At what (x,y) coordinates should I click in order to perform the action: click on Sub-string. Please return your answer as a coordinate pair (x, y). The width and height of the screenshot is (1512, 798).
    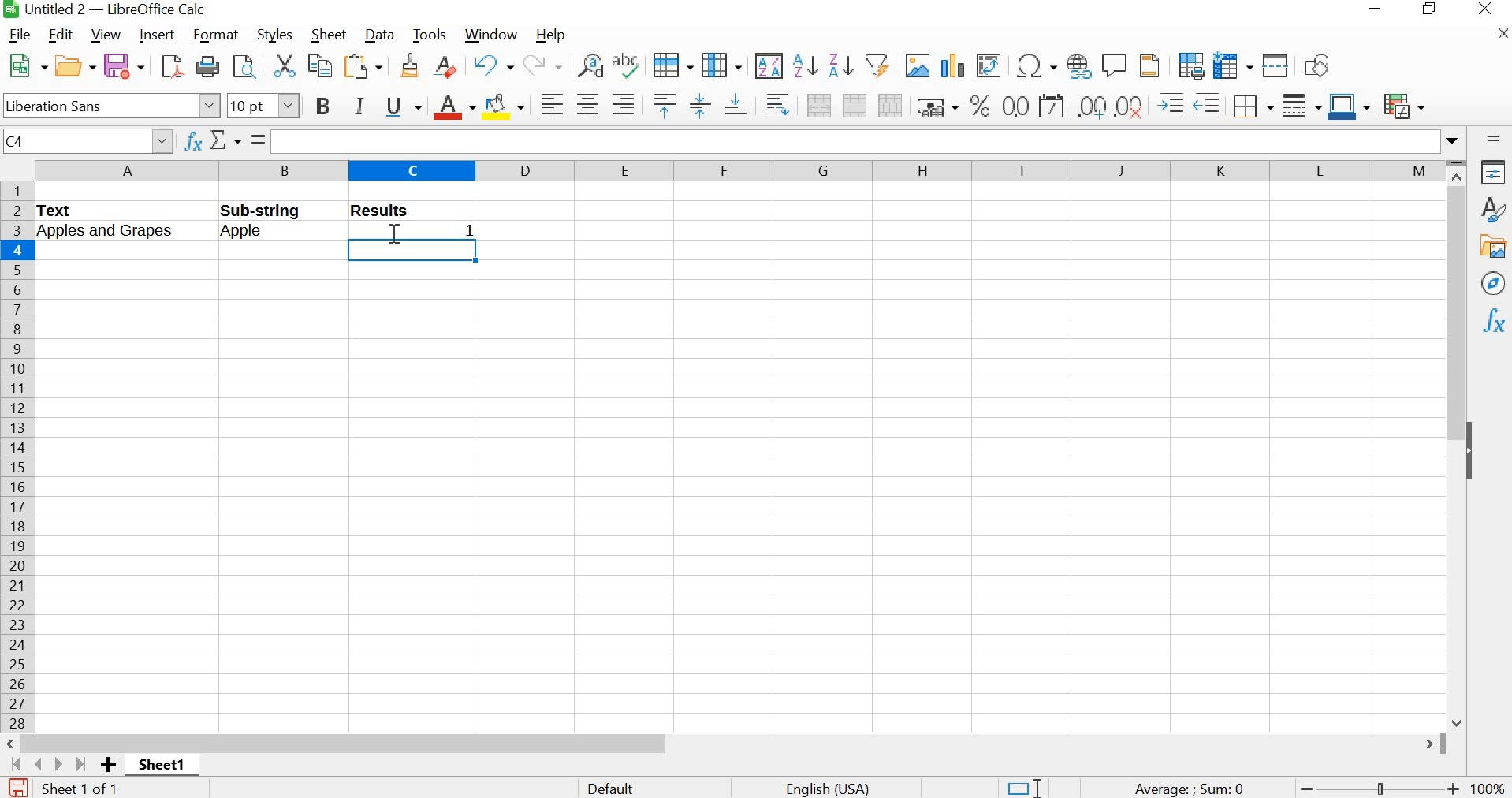
    Looking at the image, I should click on (280, 209).